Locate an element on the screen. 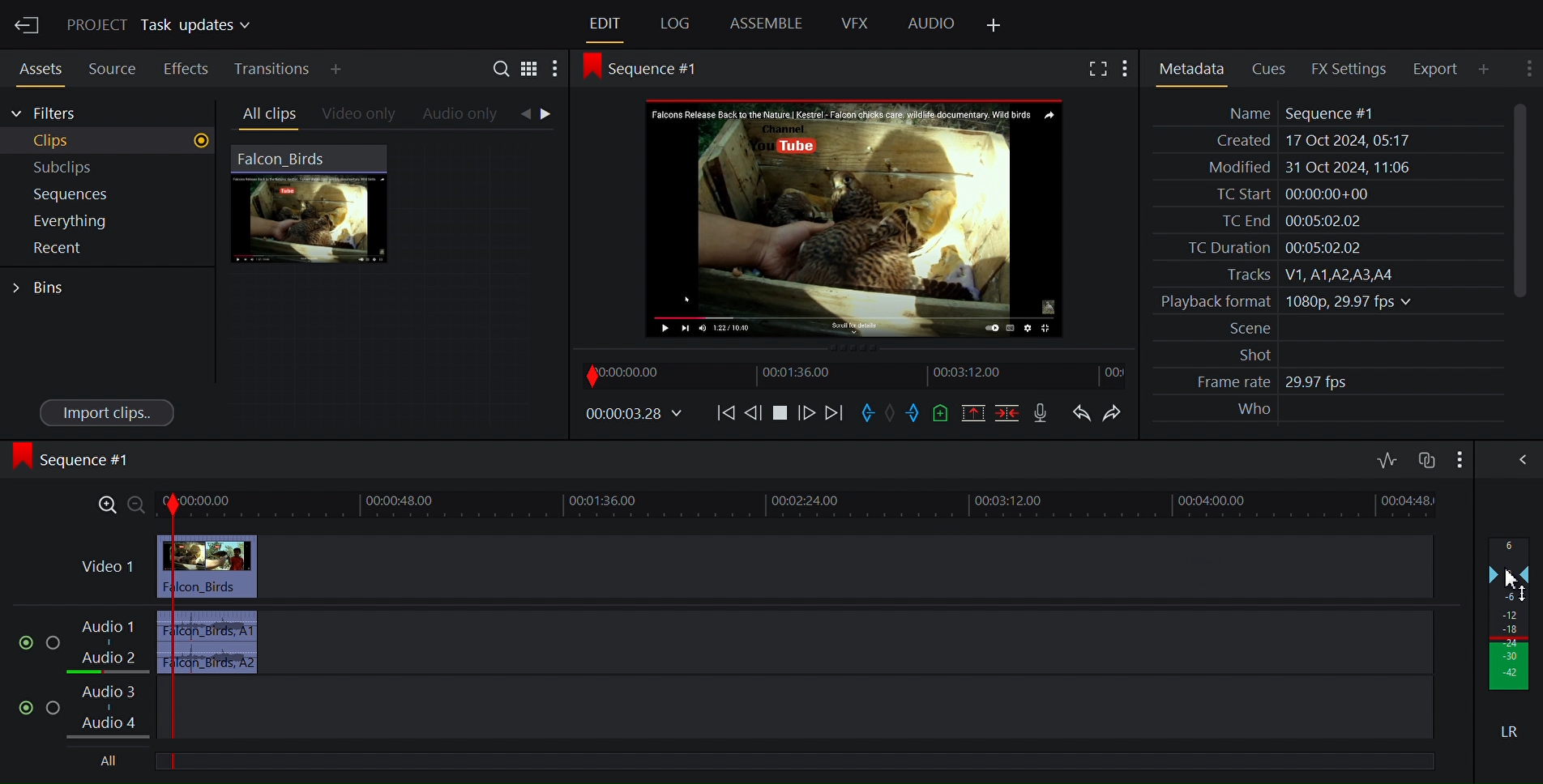  Project Task updates is located at coordinates (158, 26).